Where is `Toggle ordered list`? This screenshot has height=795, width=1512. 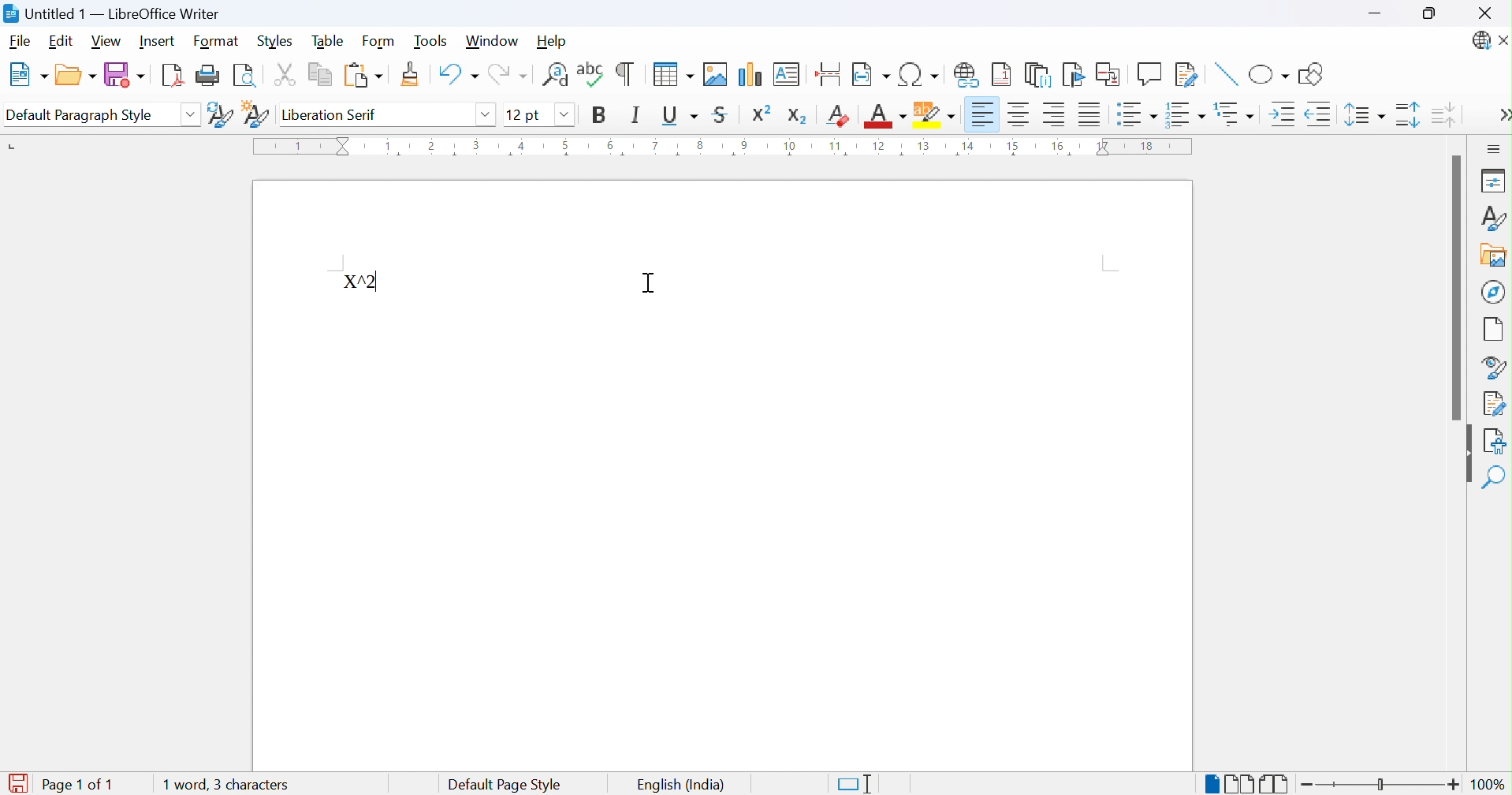 Toggle ordered list is located at coordinates (1187, 114).